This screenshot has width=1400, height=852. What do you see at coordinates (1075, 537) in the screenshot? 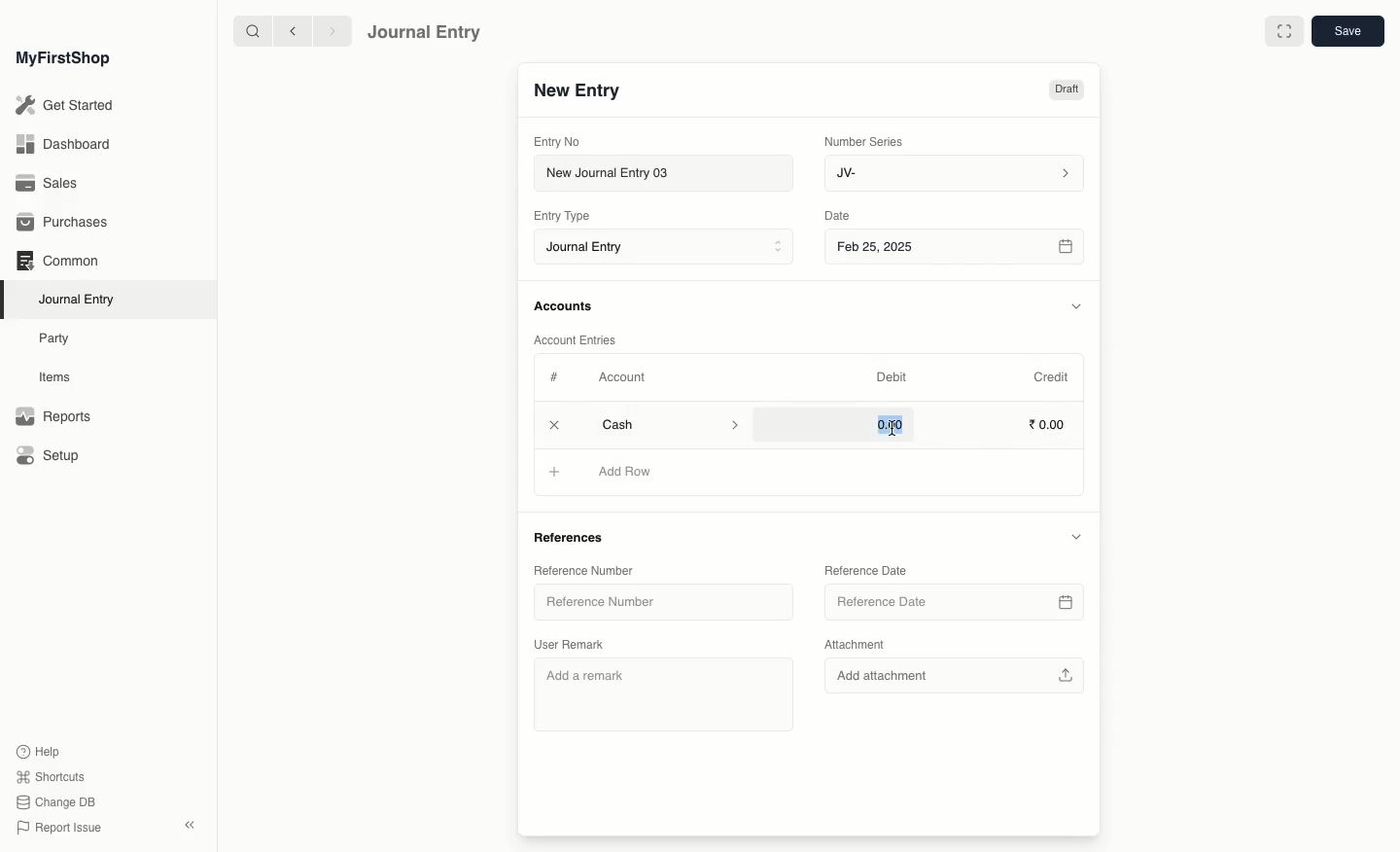
I see `Hide` at bounding box center [1075, 537].